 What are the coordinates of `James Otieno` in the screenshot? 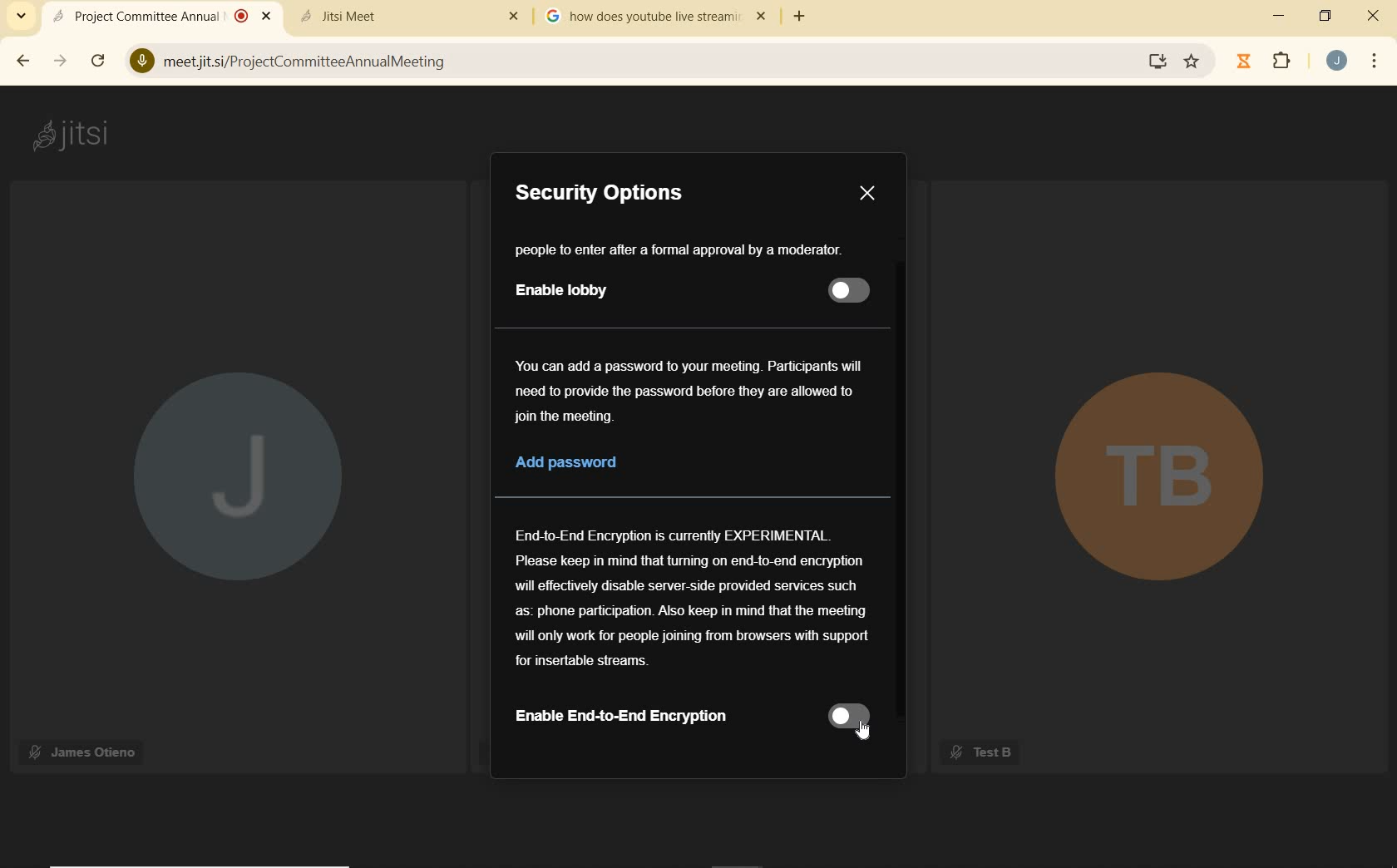 It's located at (85, 750).